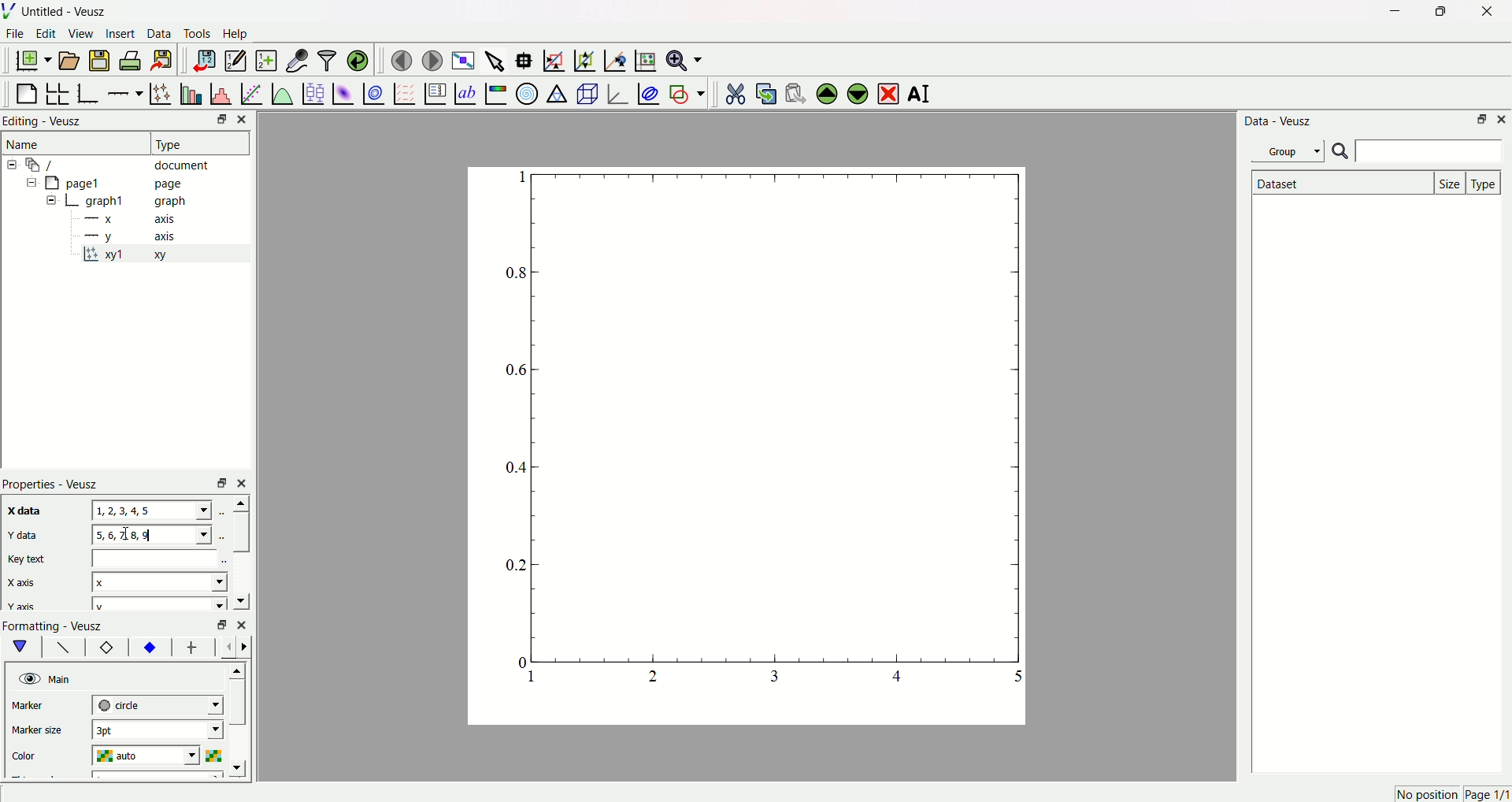 This screenshot has height=802, width=1512. Describe the element at coordinates (401, 60) in the screenshot. I see `move to previous page` at that location.